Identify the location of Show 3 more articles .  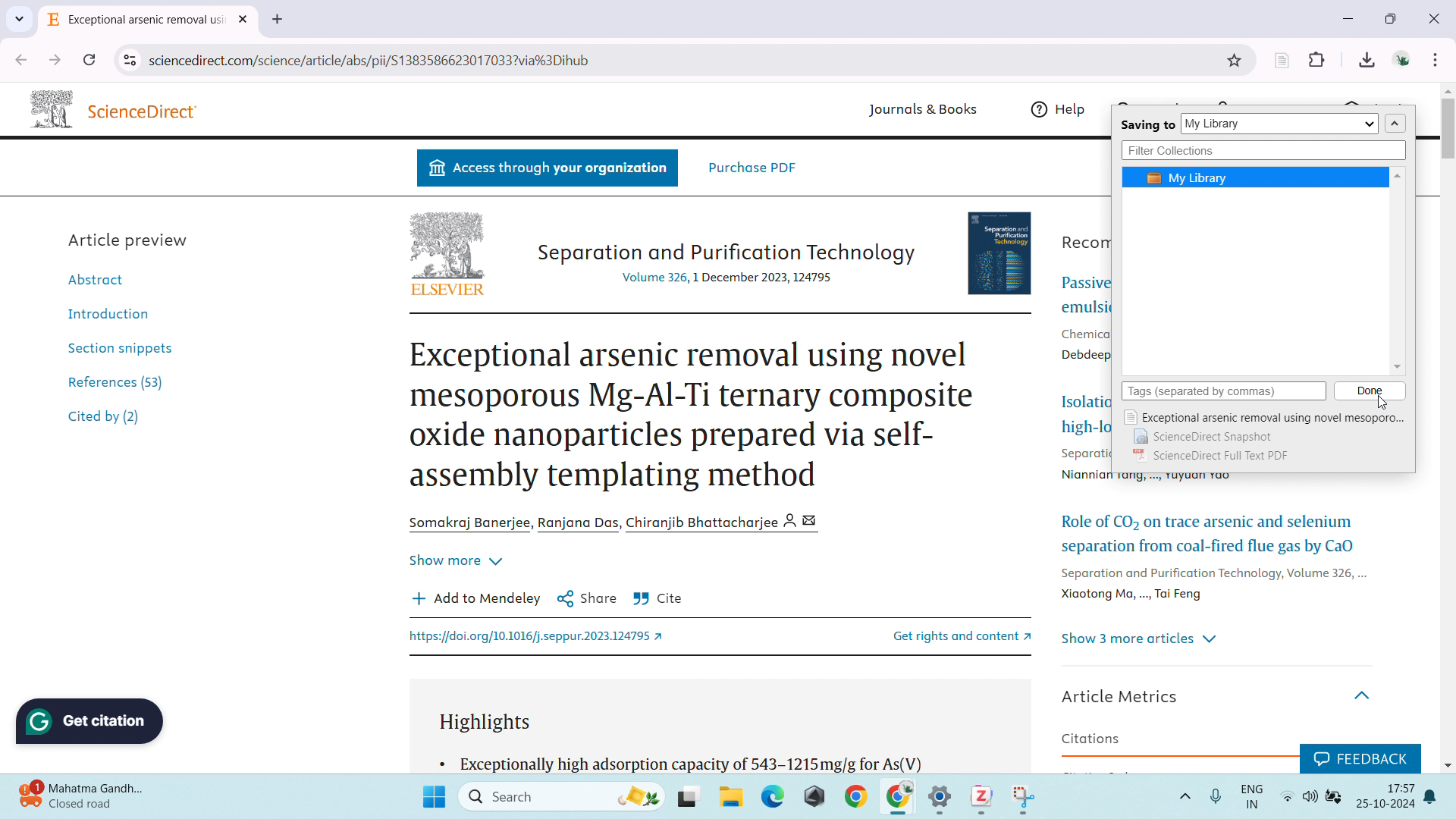
(1141, 639).